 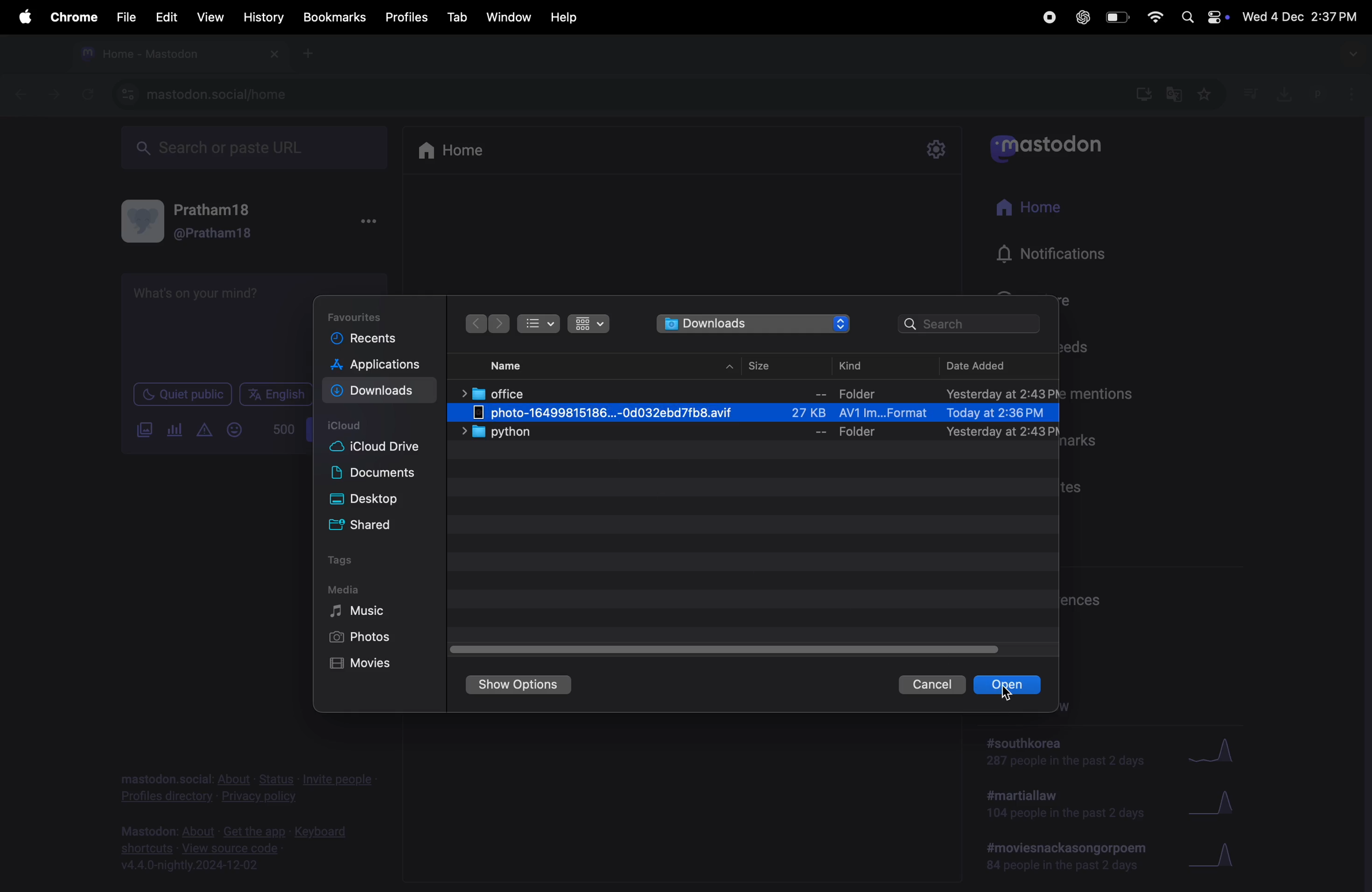 What do you see at coordinates (256, 145) in the screenshot?
I see `search url` at bounding box center [256, 145].